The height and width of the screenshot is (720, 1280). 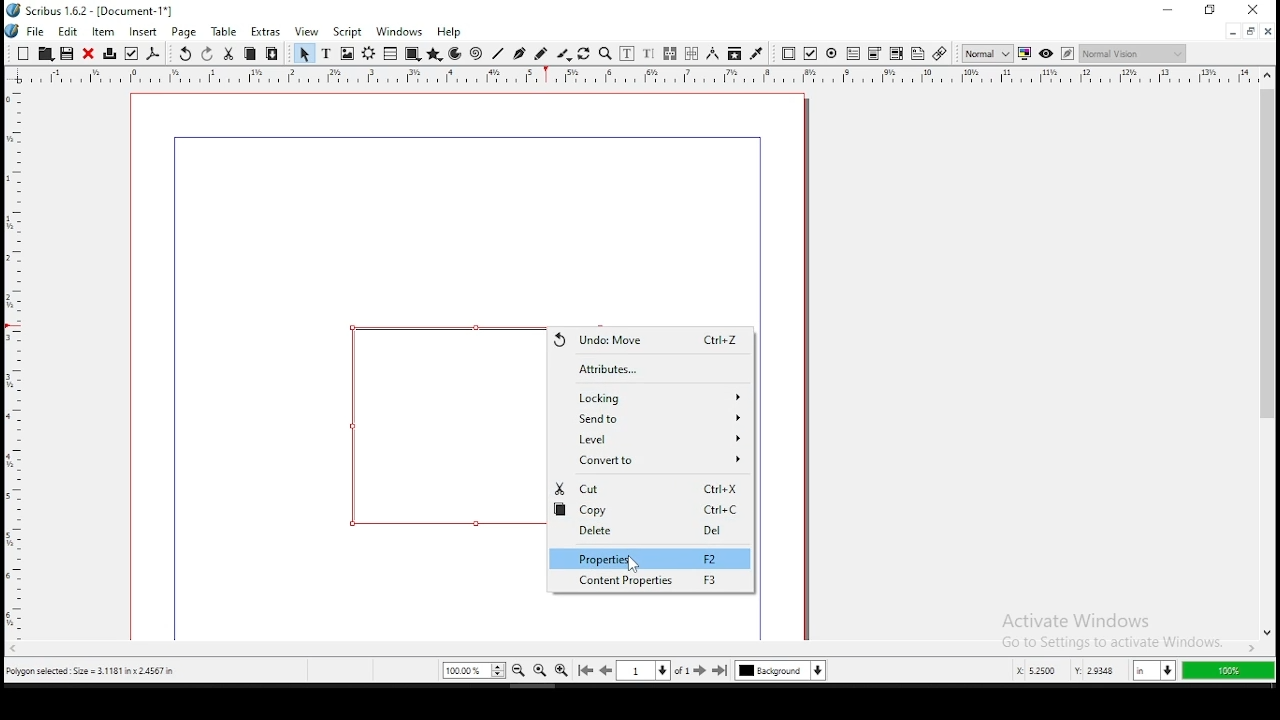 I want to click on vertical ruler, so click(x=640, y=75).